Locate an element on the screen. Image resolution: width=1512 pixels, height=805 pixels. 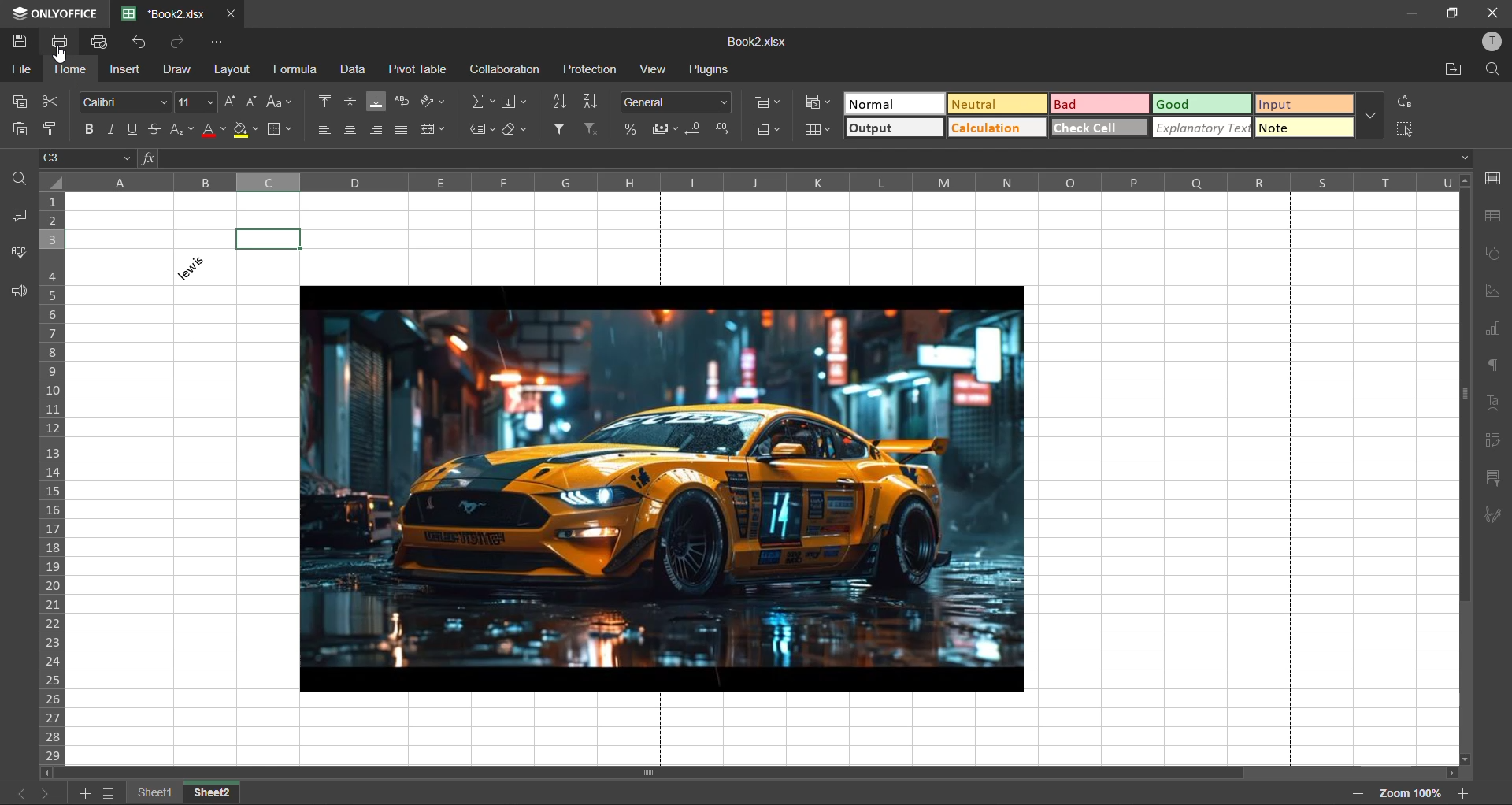
column names is located at coordinates (765, 182).